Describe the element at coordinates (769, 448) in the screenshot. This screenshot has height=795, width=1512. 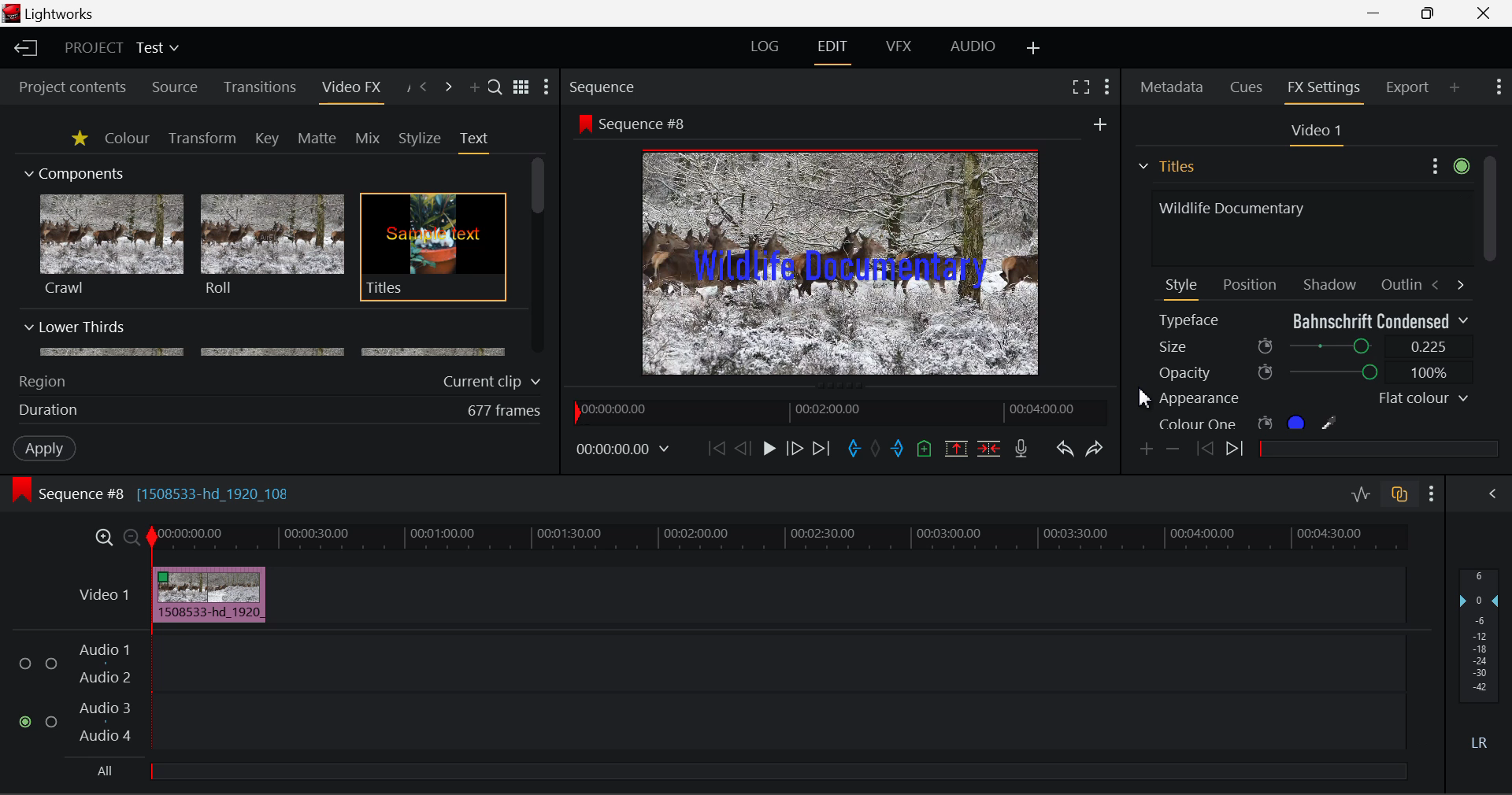
I see `Play` at that location.